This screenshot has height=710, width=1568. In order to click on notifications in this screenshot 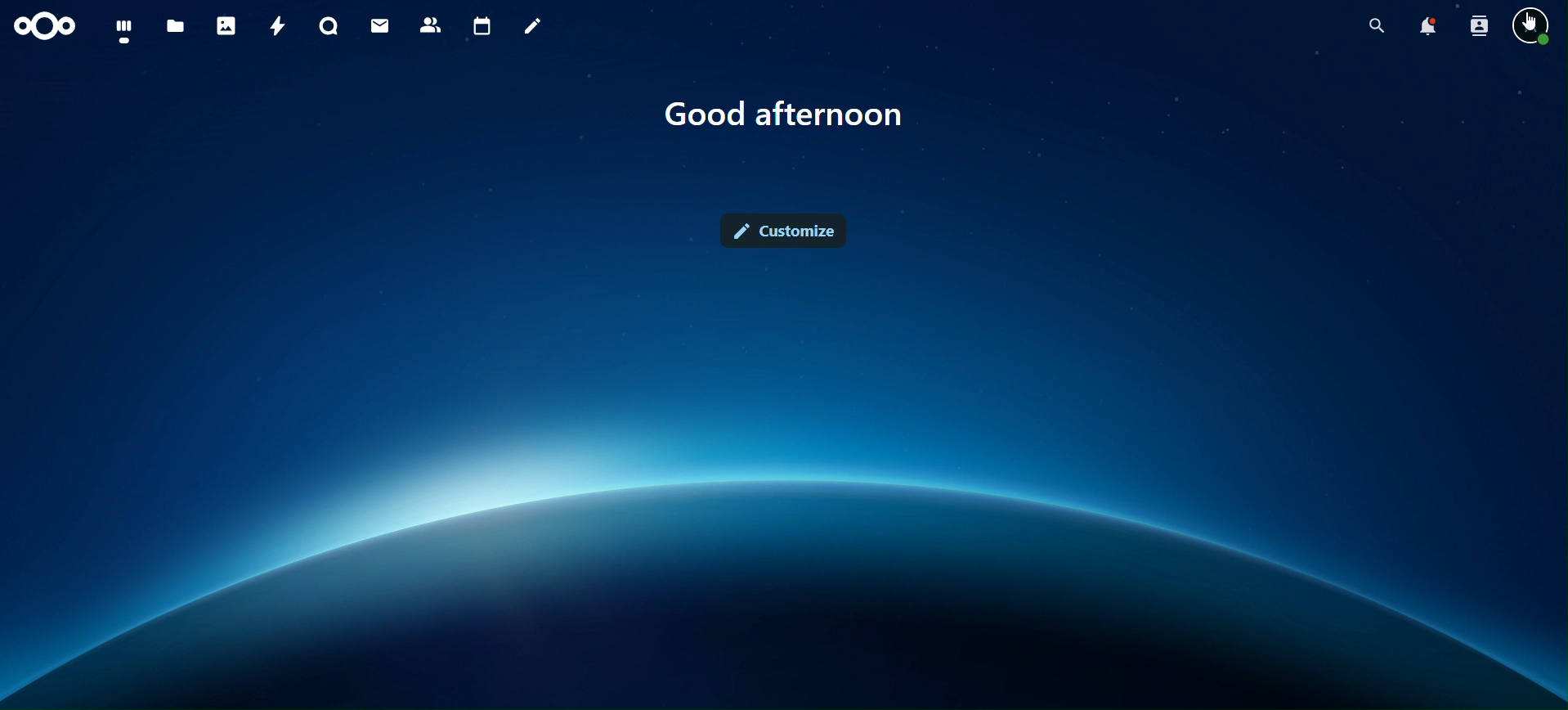, I will do `click(1421, 25)`.